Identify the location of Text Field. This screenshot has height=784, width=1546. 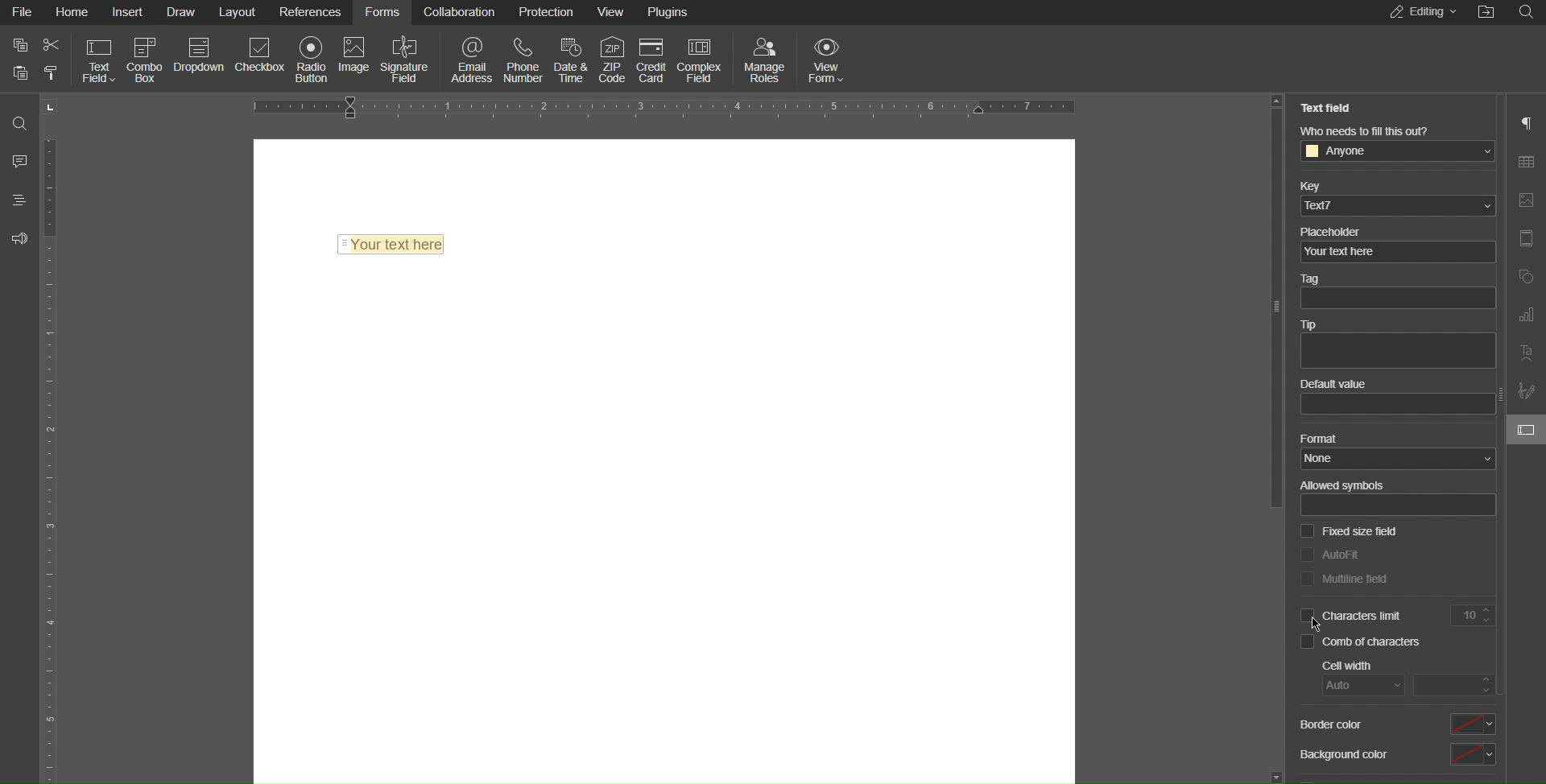
(96, 60).